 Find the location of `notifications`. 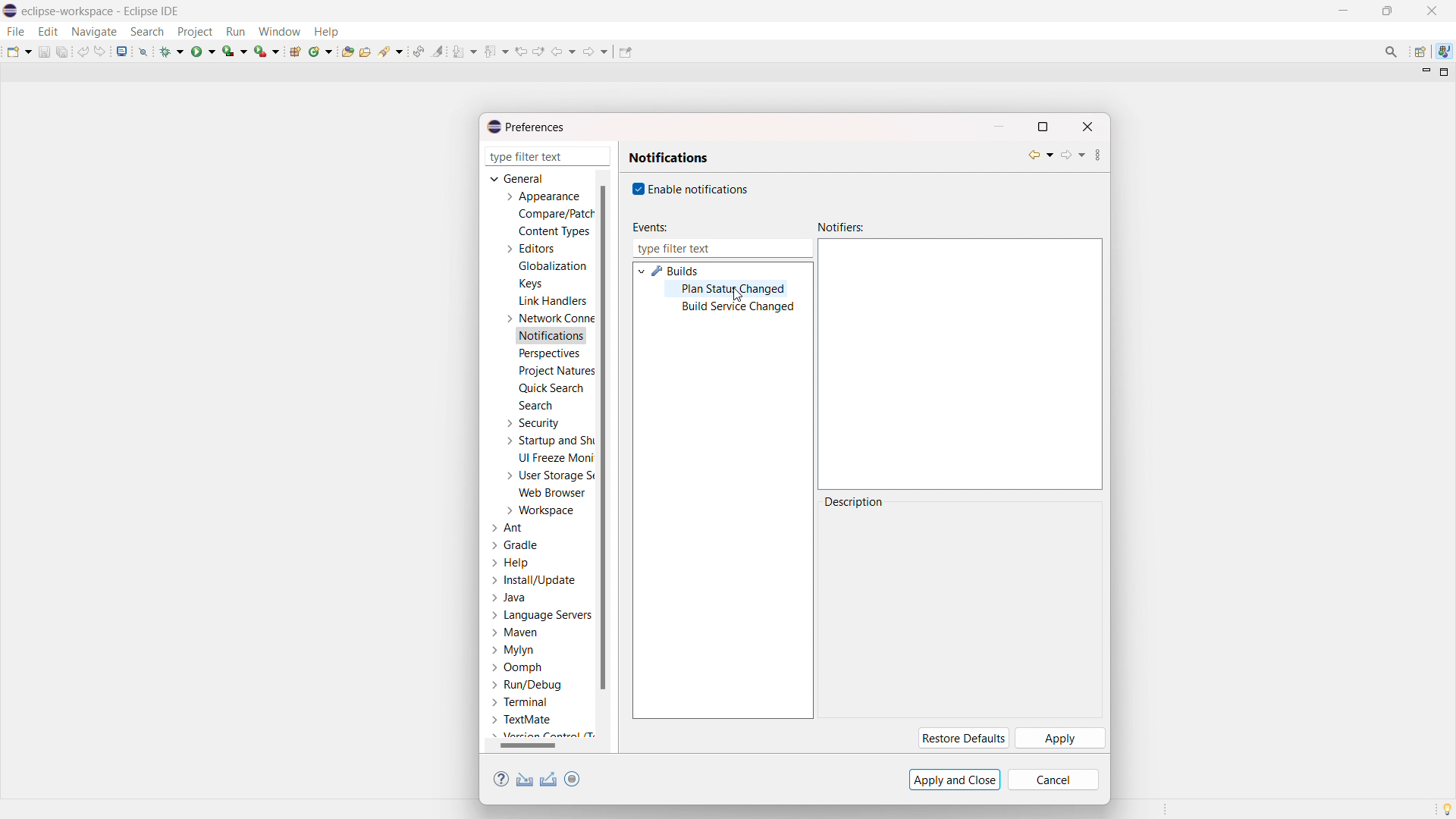

notifications is located at coordinates (669, 158).